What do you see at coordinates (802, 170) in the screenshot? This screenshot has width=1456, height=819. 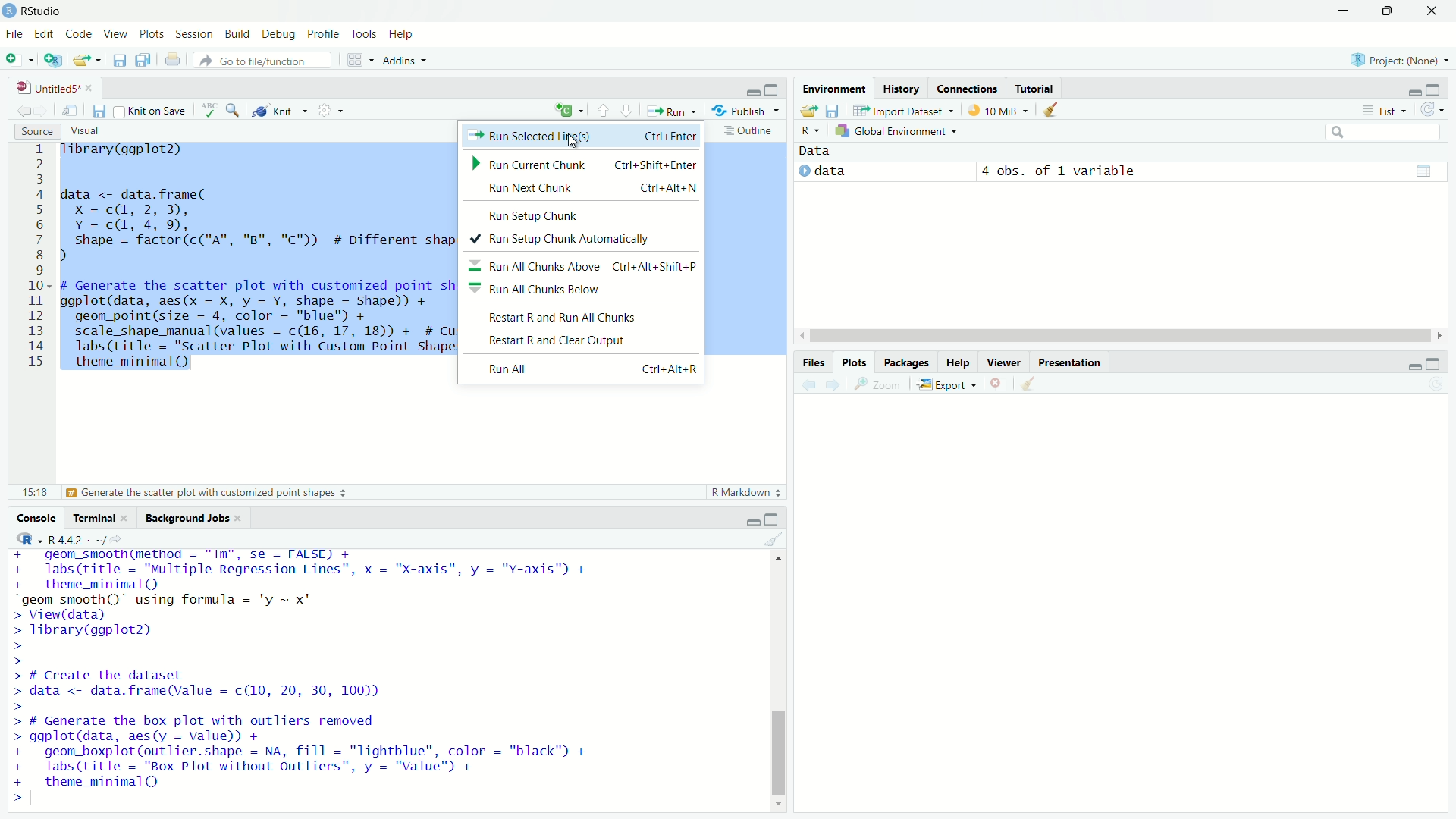 I see `expand/collapse` at bounding box center [802, 170].